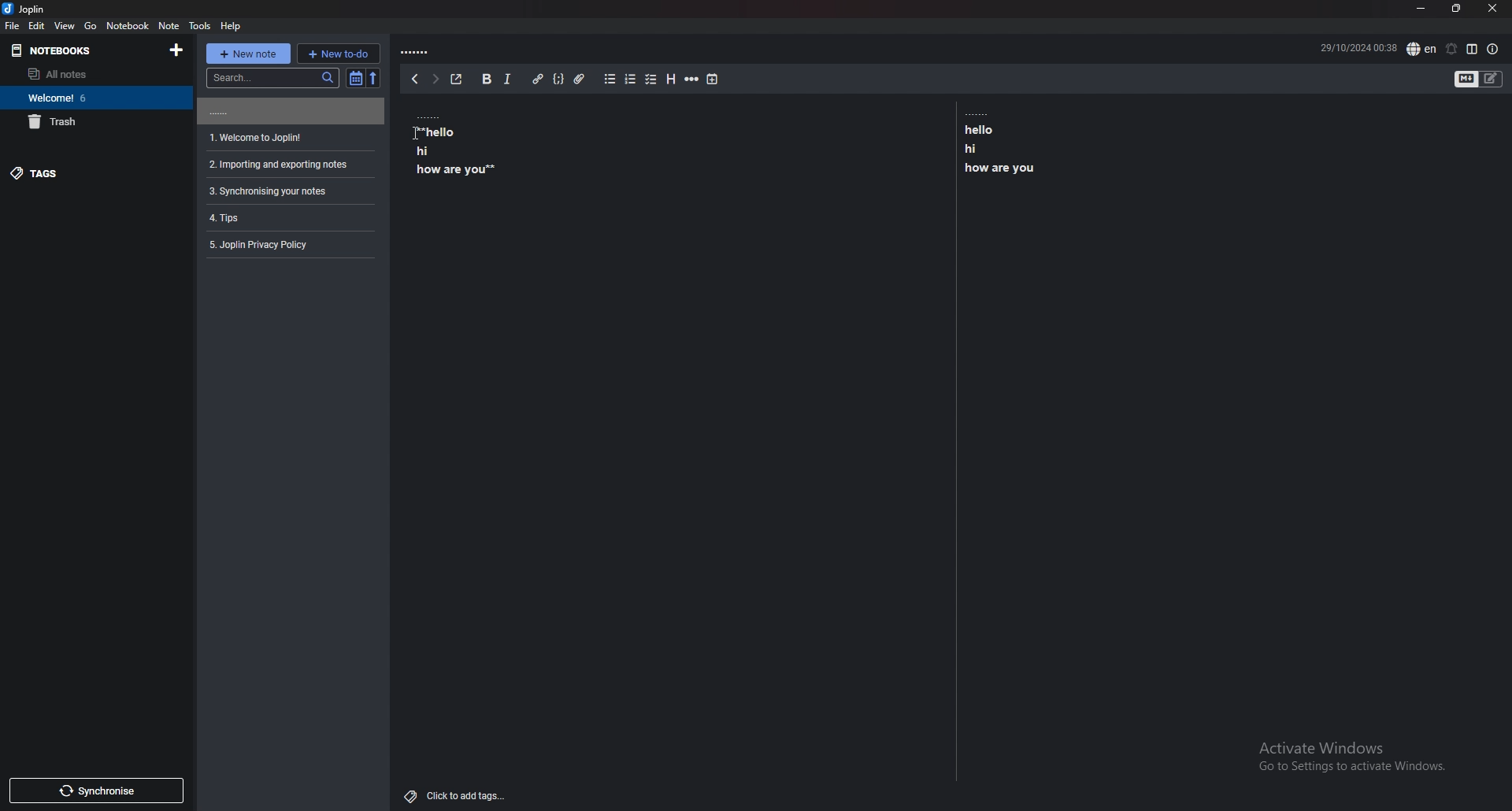  What do you see at coordinates (288, 138) in the screenshot?
I see `note` at bounding box center [288, 138].